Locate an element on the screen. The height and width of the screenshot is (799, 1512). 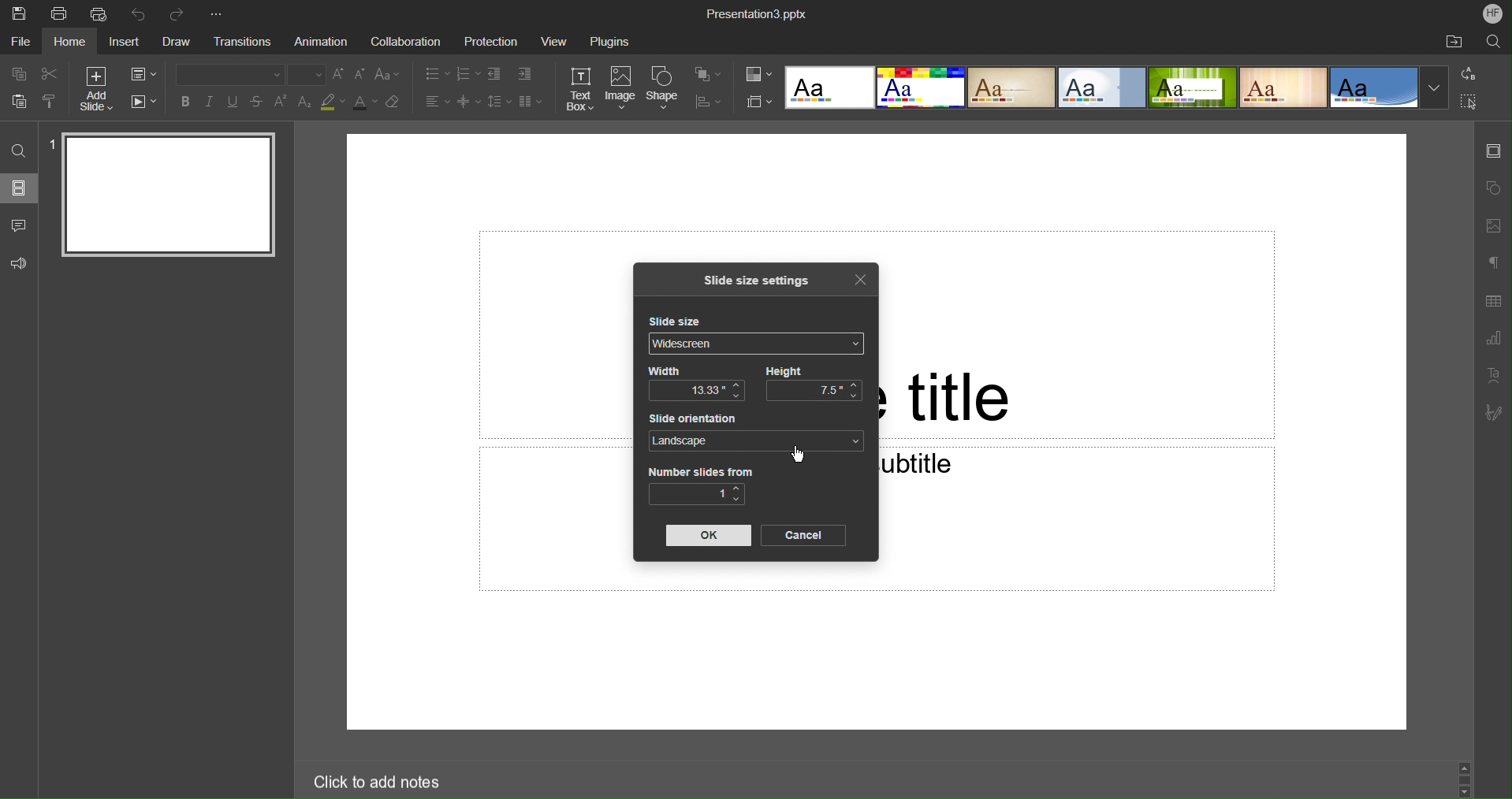
Scroll bar is located at coordinates (1465, 775).